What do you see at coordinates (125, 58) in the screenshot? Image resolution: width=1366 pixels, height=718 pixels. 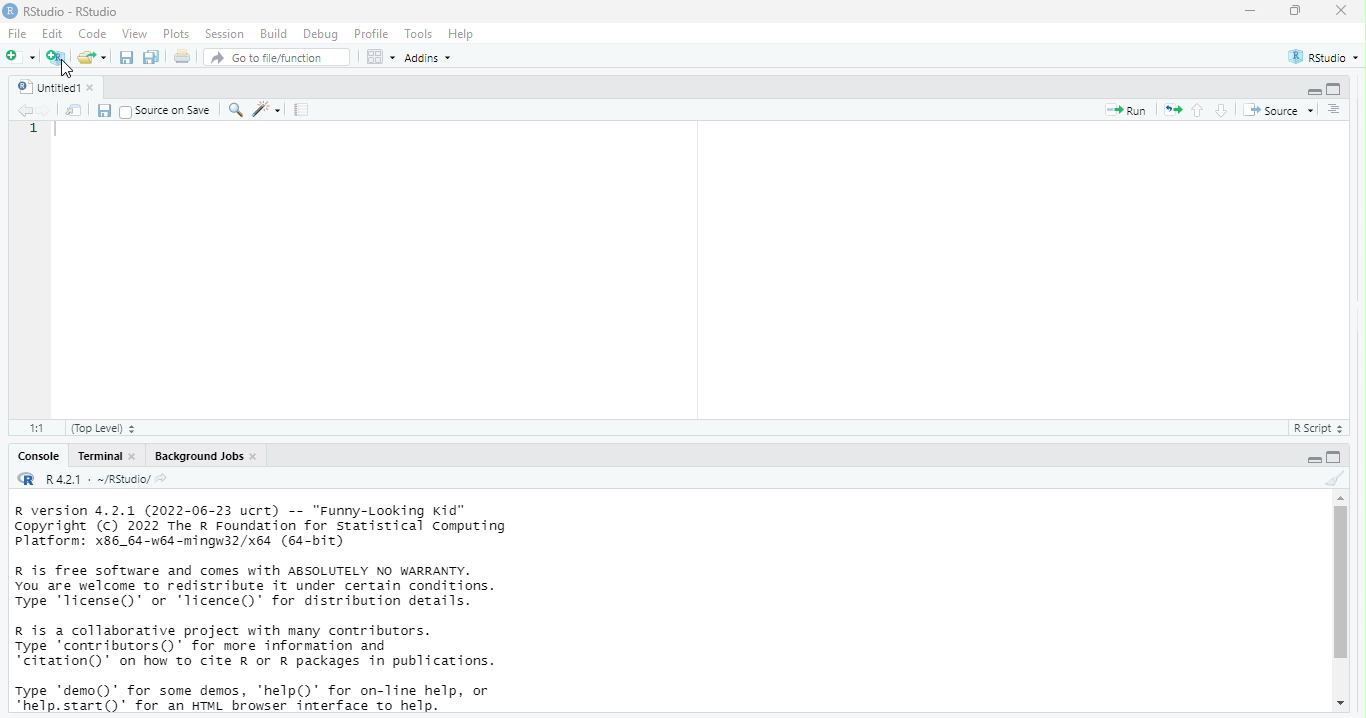 I see `save current document` at bounding box center [125, 58].